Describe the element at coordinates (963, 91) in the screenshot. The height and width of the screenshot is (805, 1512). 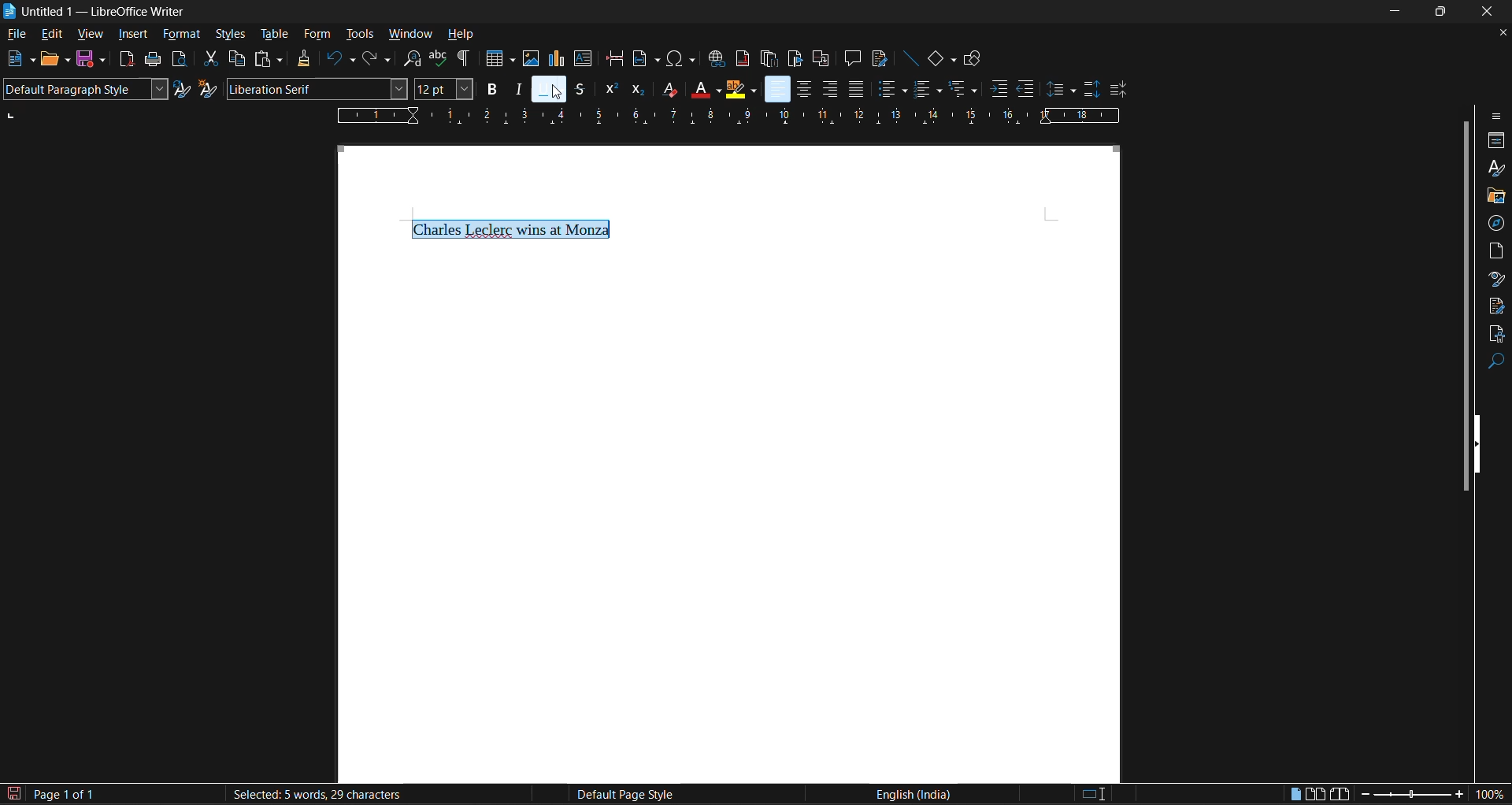
I see `select outline format` at that location.